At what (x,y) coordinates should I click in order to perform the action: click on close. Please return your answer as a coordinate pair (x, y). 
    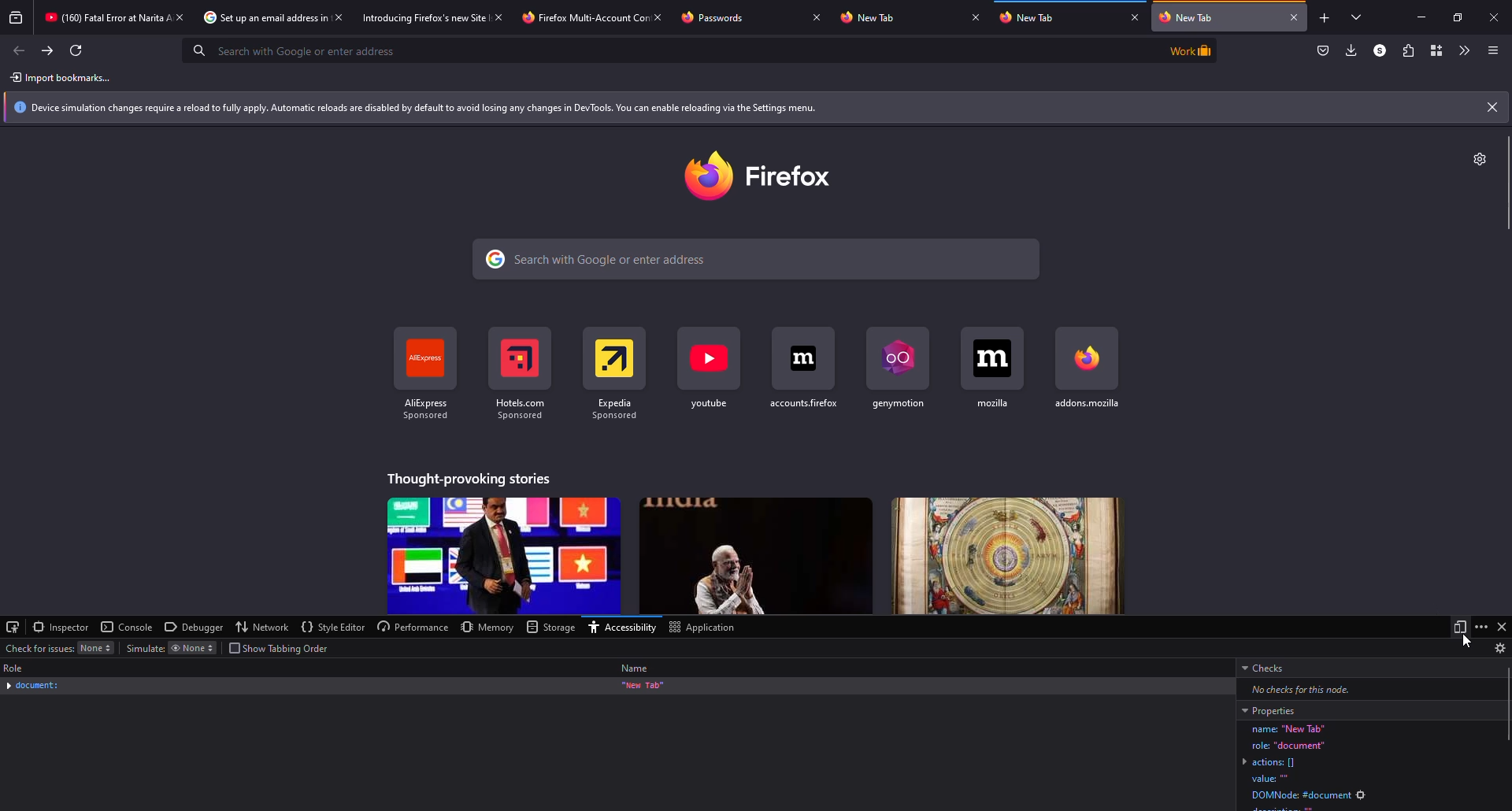
    Looking at the image, I should click on (817, 17).